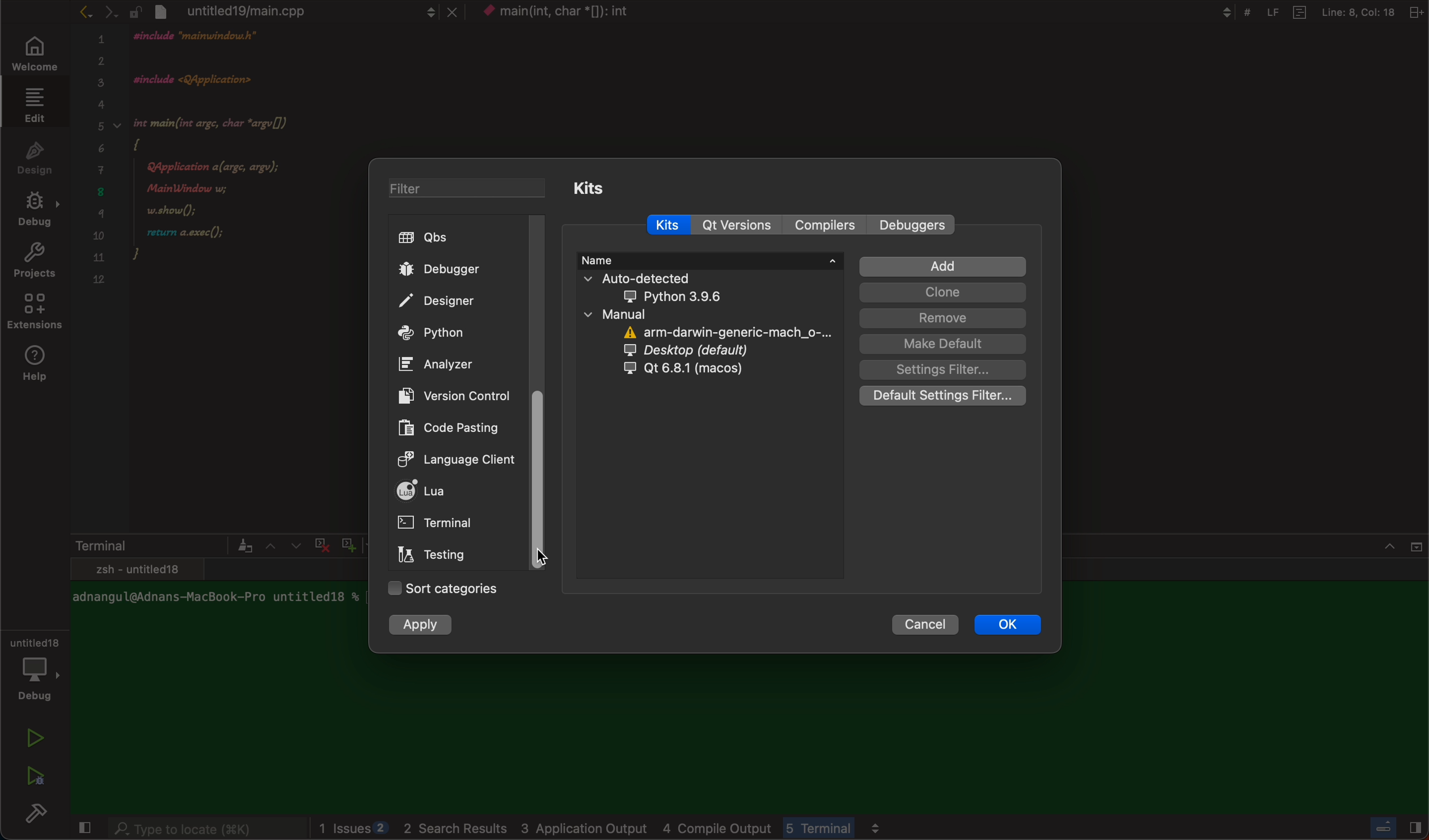 The height and width of the screenshot is (840, 1429). I want to click on analyzer, so click(442, 364).